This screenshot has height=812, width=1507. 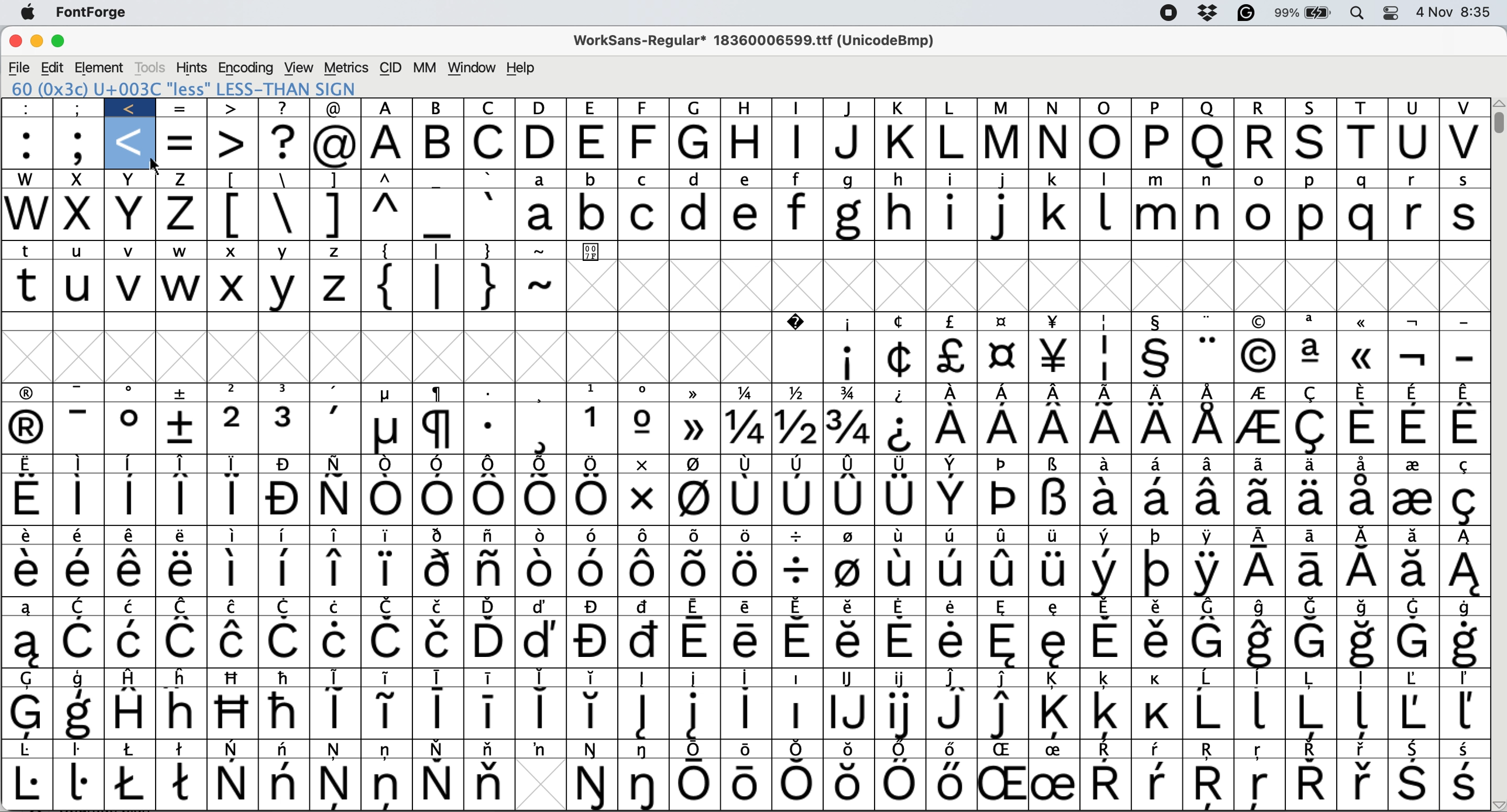 I want to click on e, so click(x=594, y=108).